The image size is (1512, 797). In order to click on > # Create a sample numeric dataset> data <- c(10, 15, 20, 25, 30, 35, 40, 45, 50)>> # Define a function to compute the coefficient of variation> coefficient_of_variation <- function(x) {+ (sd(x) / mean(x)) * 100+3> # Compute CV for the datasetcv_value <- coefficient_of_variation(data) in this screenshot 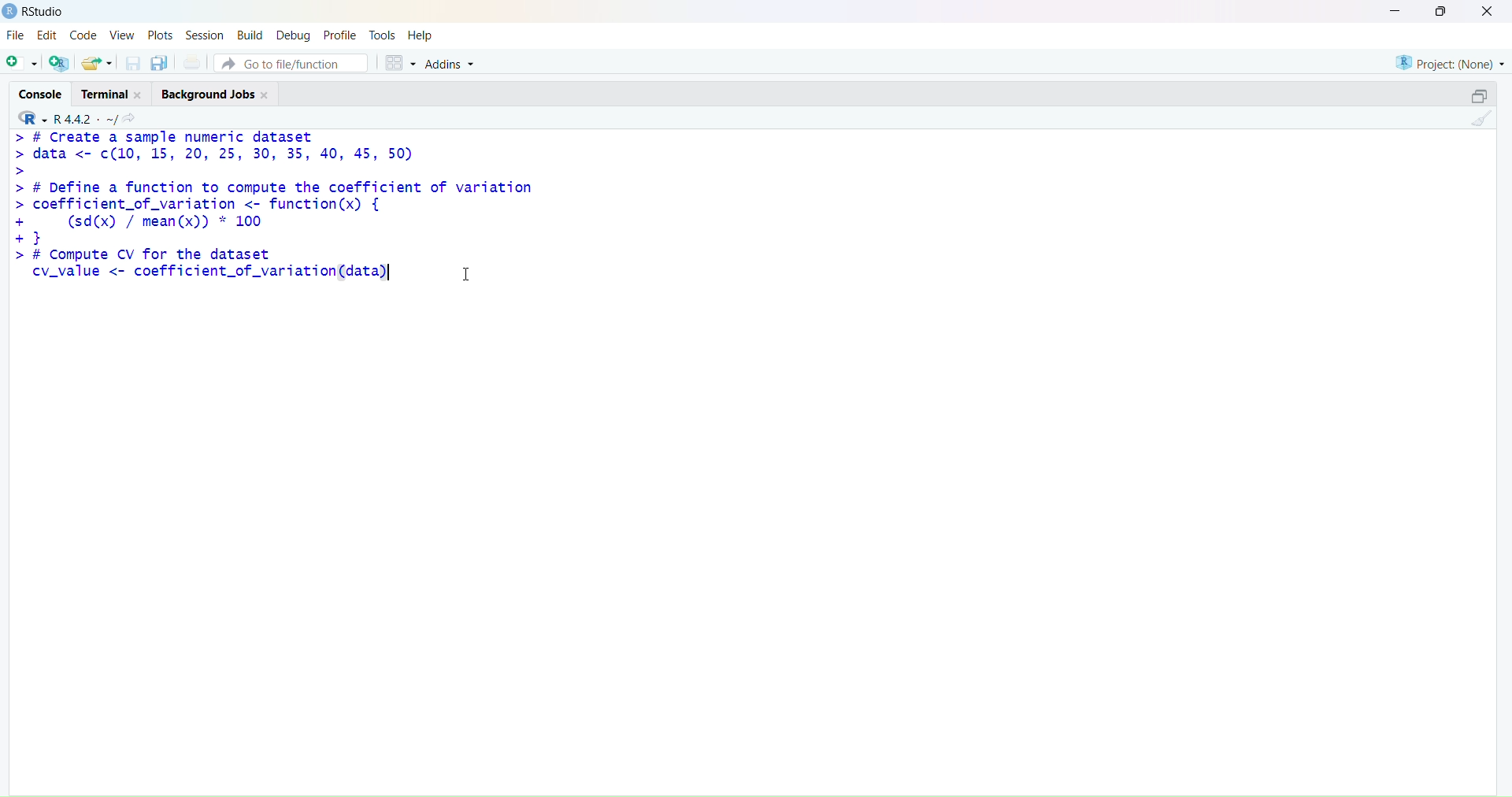, I will do `click(279, 207)`.